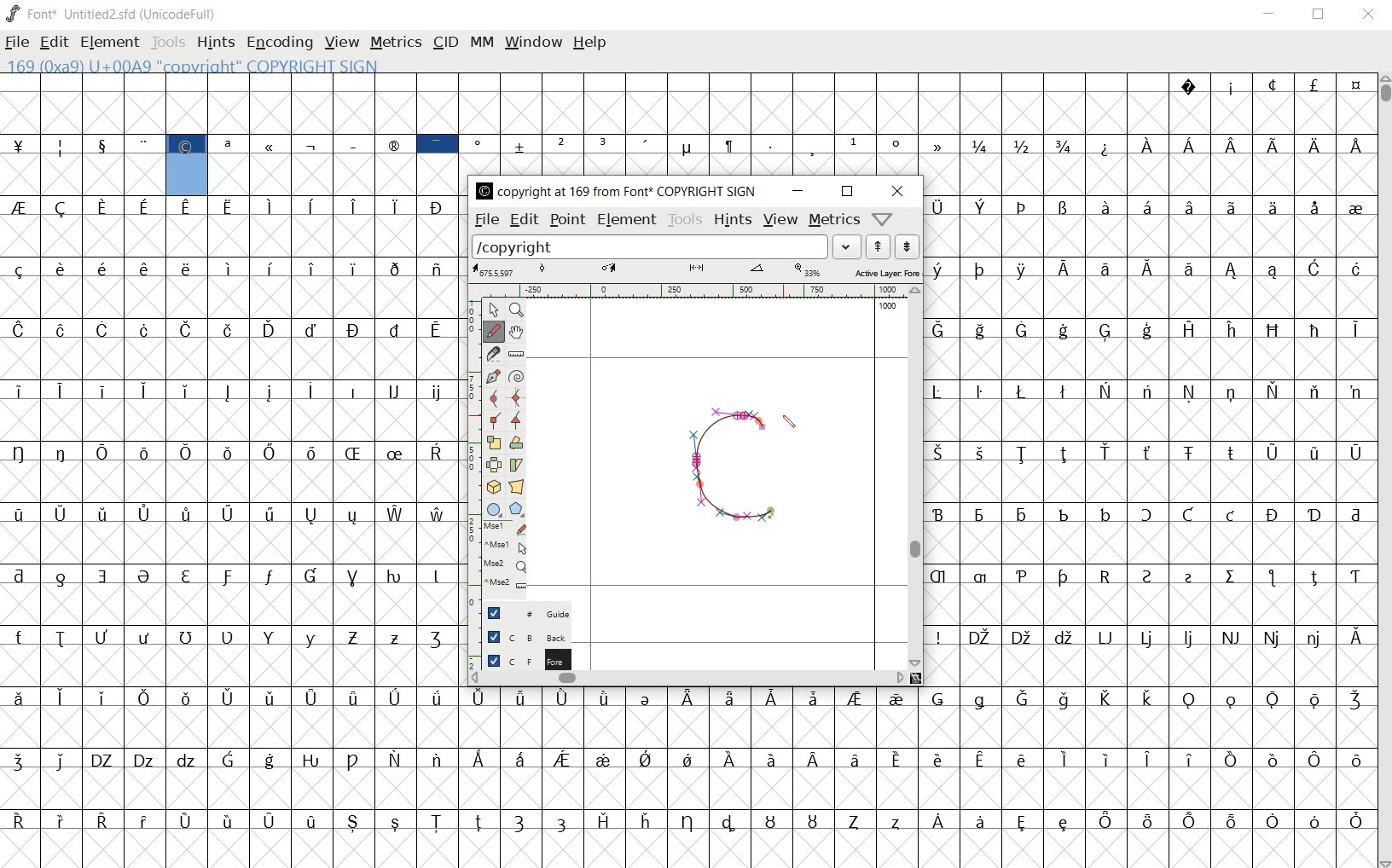  Describe the element at coordinates (516, 421) in the screenshot. I see `Add a corner point` at that location.